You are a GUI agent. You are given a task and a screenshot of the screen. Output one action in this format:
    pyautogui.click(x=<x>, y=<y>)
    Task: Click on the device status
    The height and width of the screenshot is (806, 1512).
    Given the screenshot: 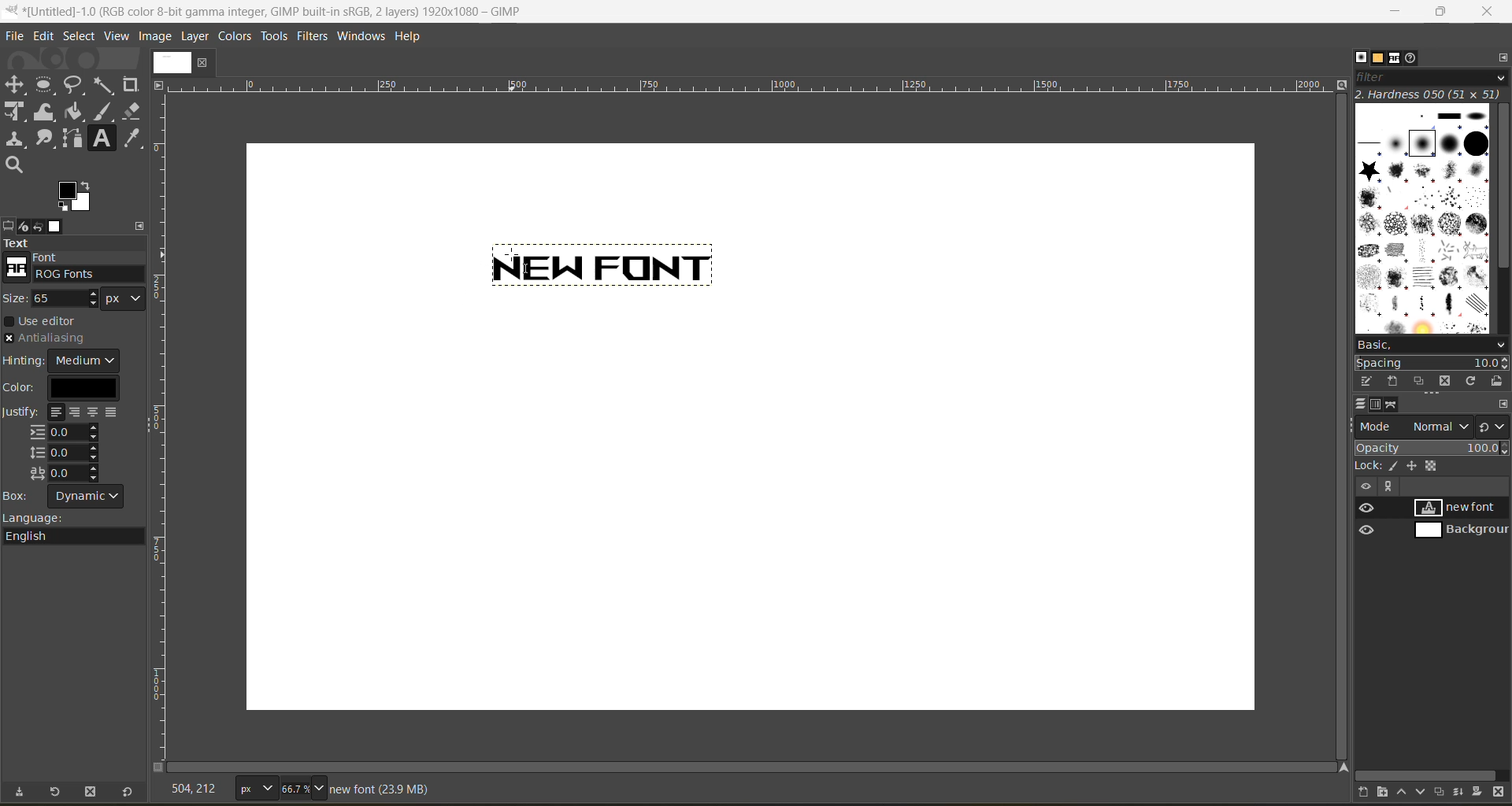 What is the action you would take?
    pyautogui.click(x=24, y=227)
    